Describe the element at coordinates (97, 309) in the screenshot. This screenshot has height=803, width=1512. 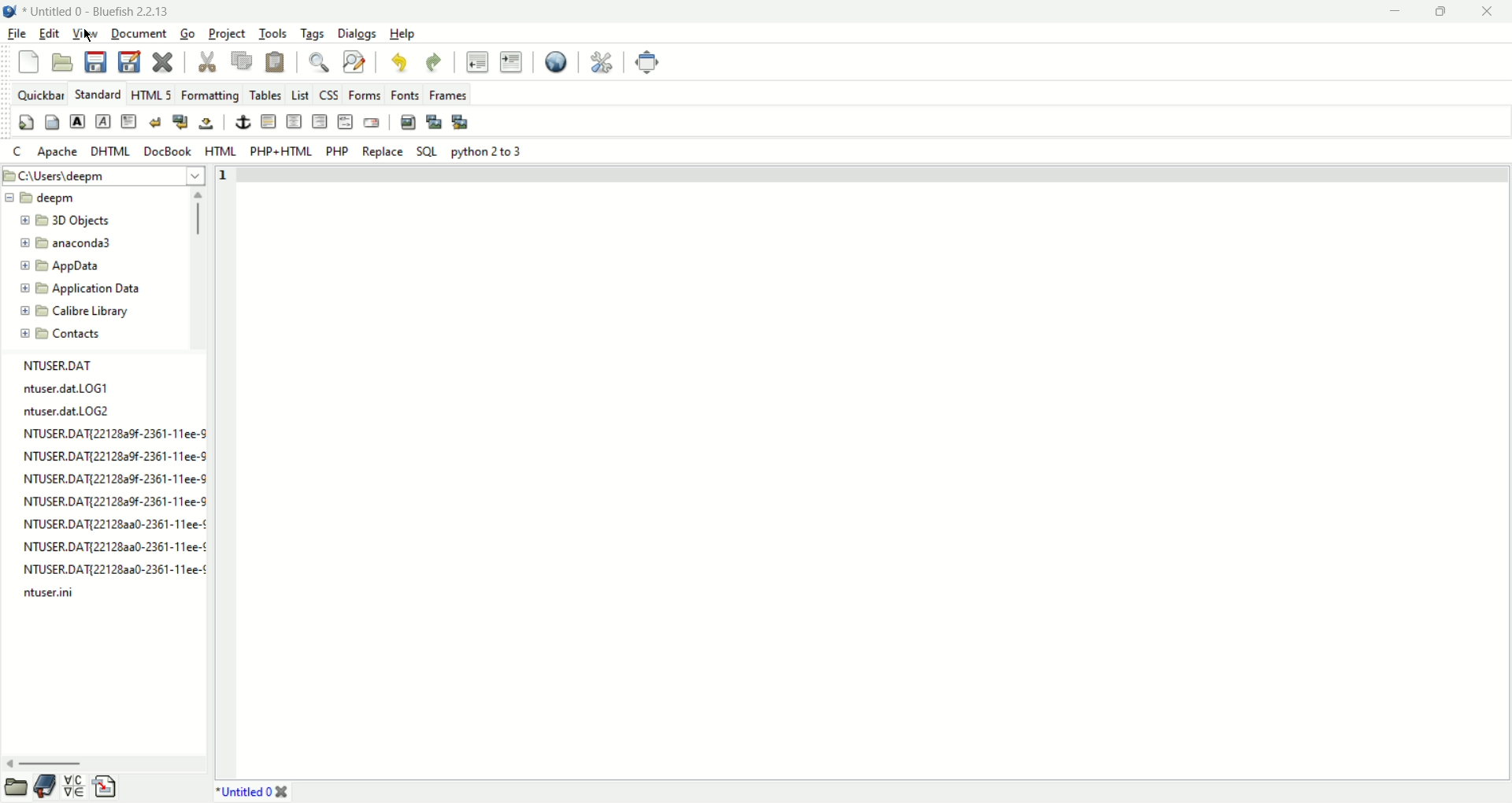
I see `new folder` at that location.